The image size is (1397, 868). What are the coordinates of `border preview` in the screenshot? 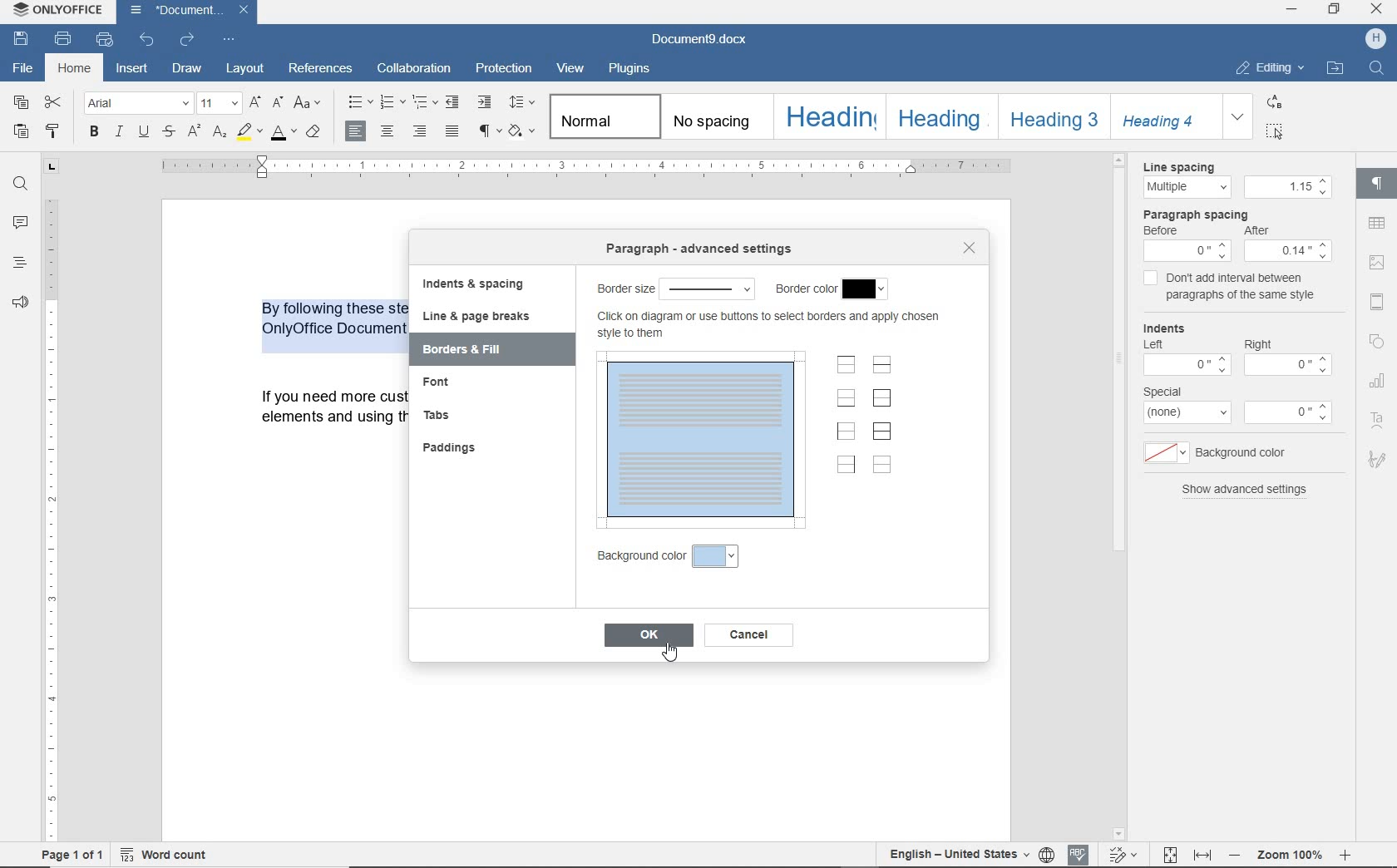 It's located at (703, 441).